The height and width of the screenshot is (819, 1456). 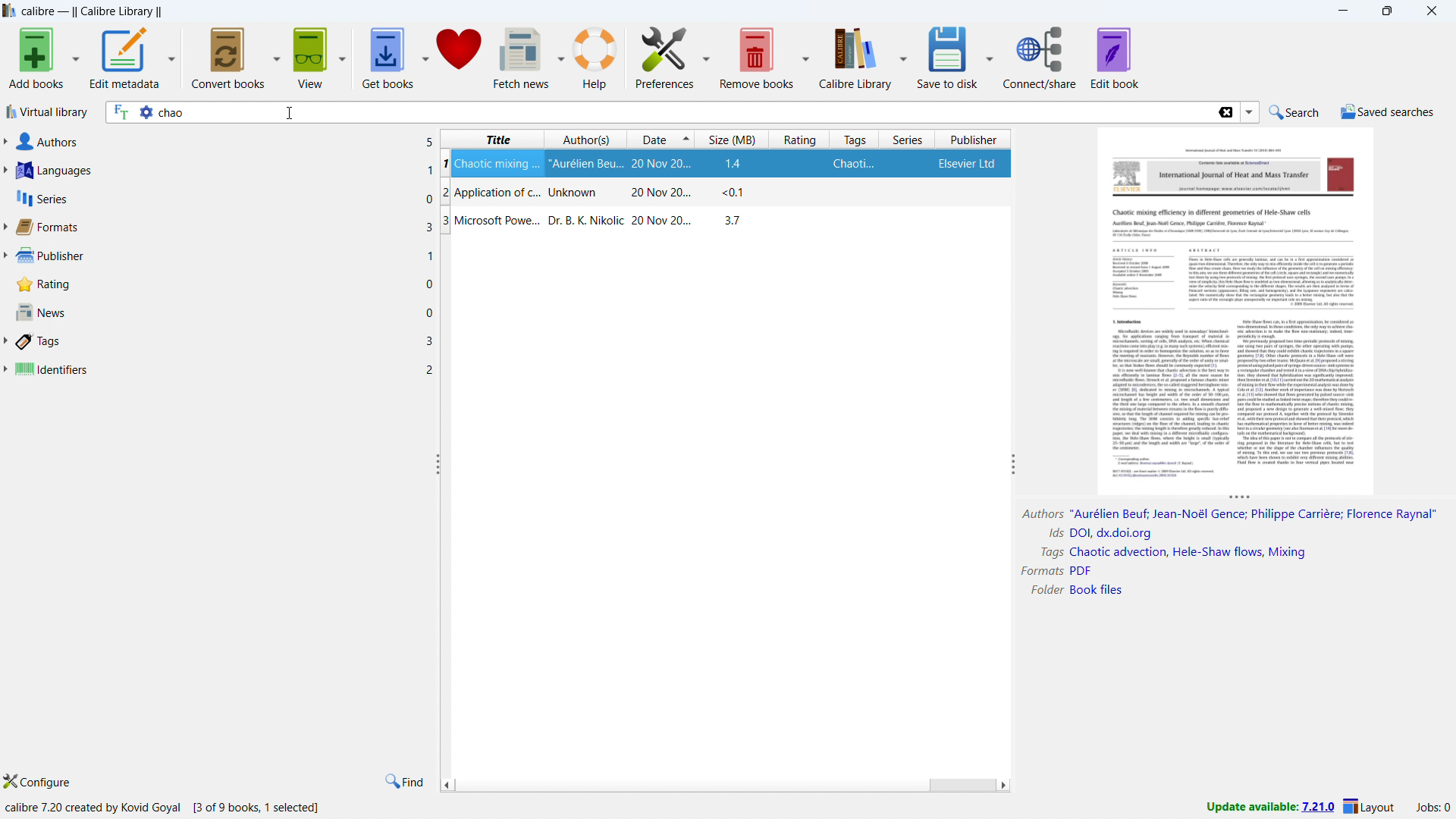 I want to click on search history, so click(x=1249, y=111).